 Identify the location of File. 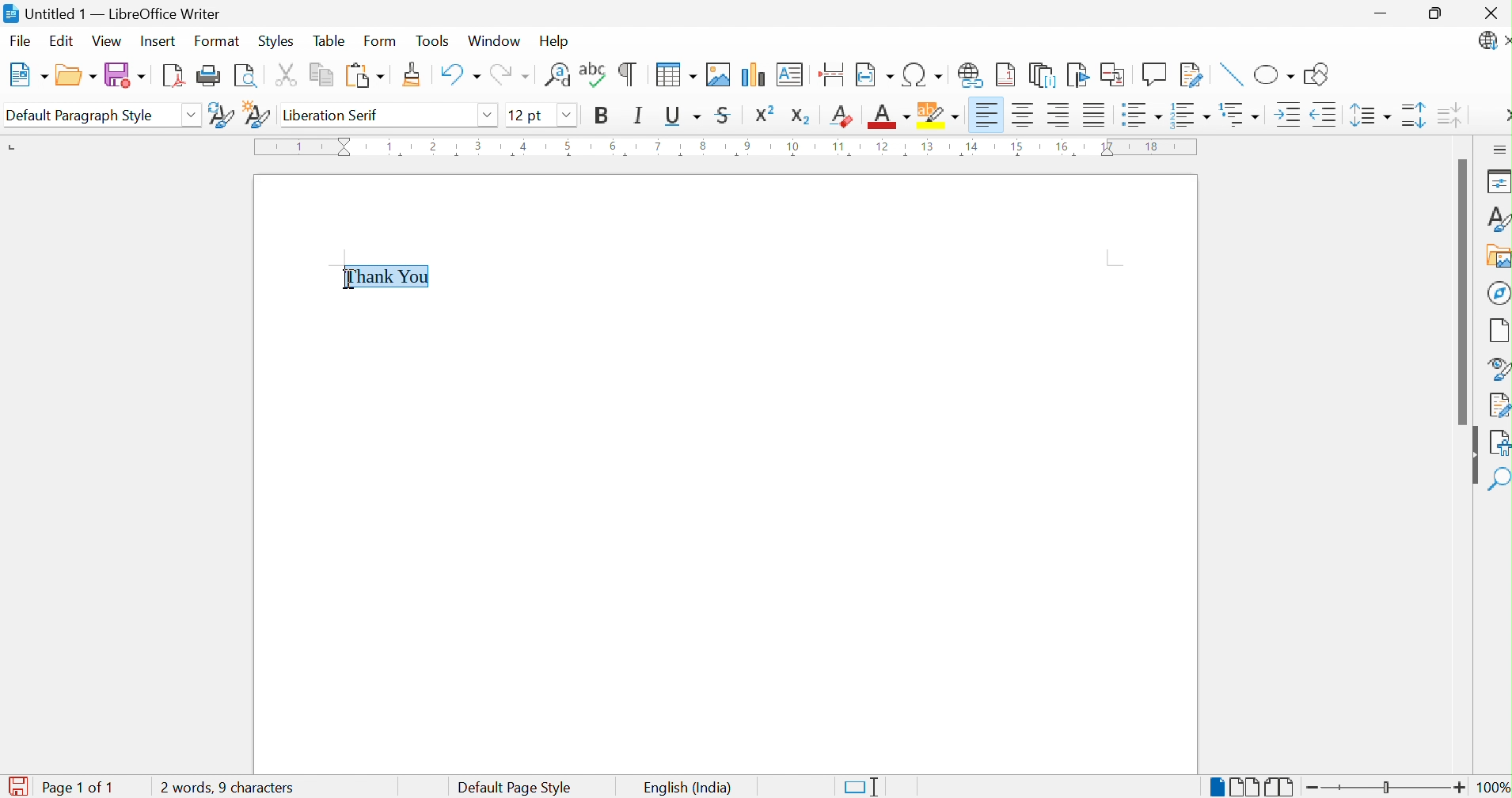
(21, 40).